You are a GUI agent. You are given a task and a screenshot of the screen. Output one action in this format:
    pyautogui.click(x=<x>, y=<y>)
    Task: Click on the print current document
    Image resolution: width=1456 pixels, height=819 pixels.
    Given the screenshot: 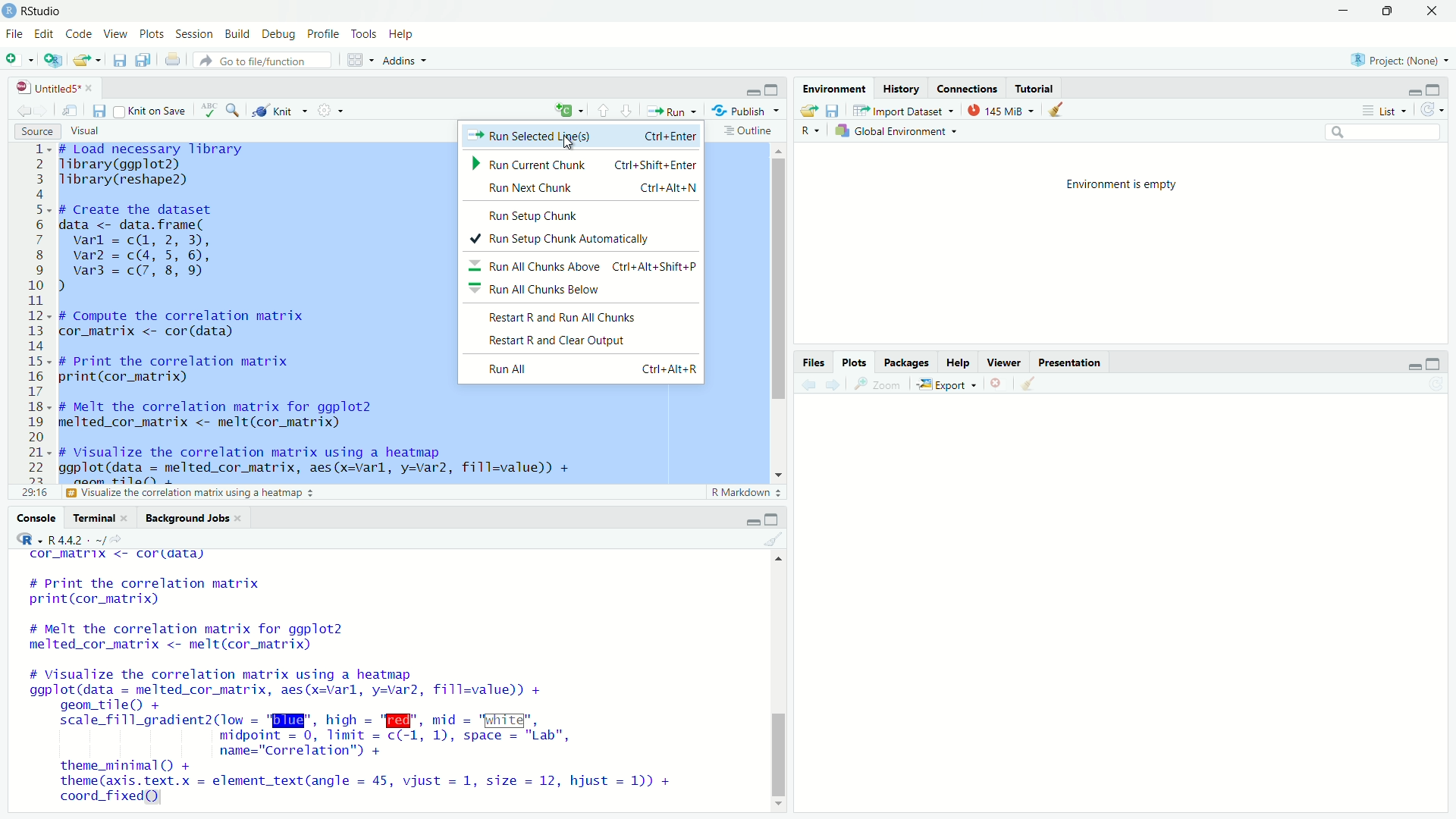 What is the action you would take?
    pyautogui.click(x=173, y=60)
    